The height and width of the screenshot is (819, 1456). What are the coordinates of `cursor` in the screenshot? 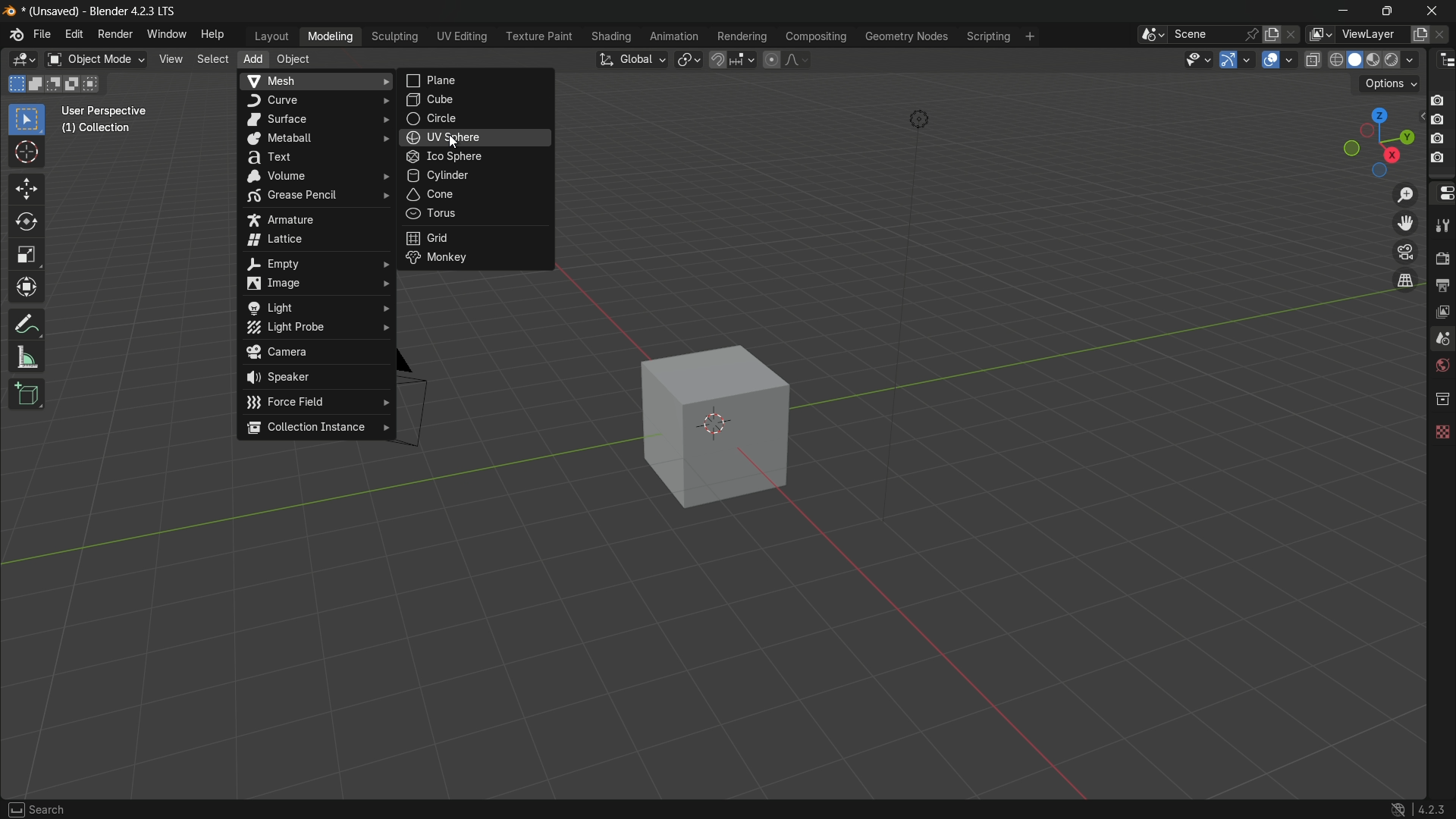 It's located at (457, 143).